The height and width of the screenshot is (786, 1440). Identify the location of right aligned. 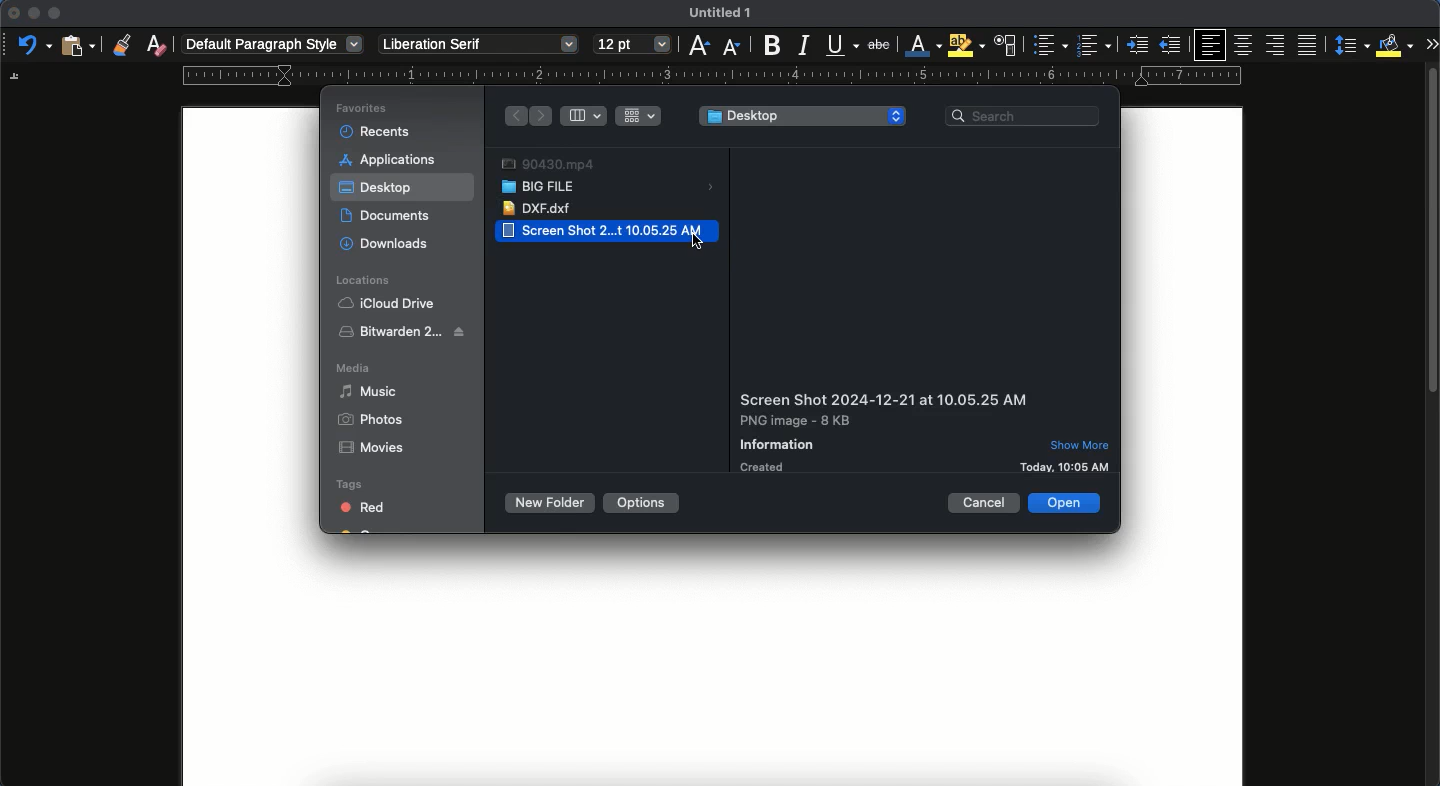
(1274, 46).